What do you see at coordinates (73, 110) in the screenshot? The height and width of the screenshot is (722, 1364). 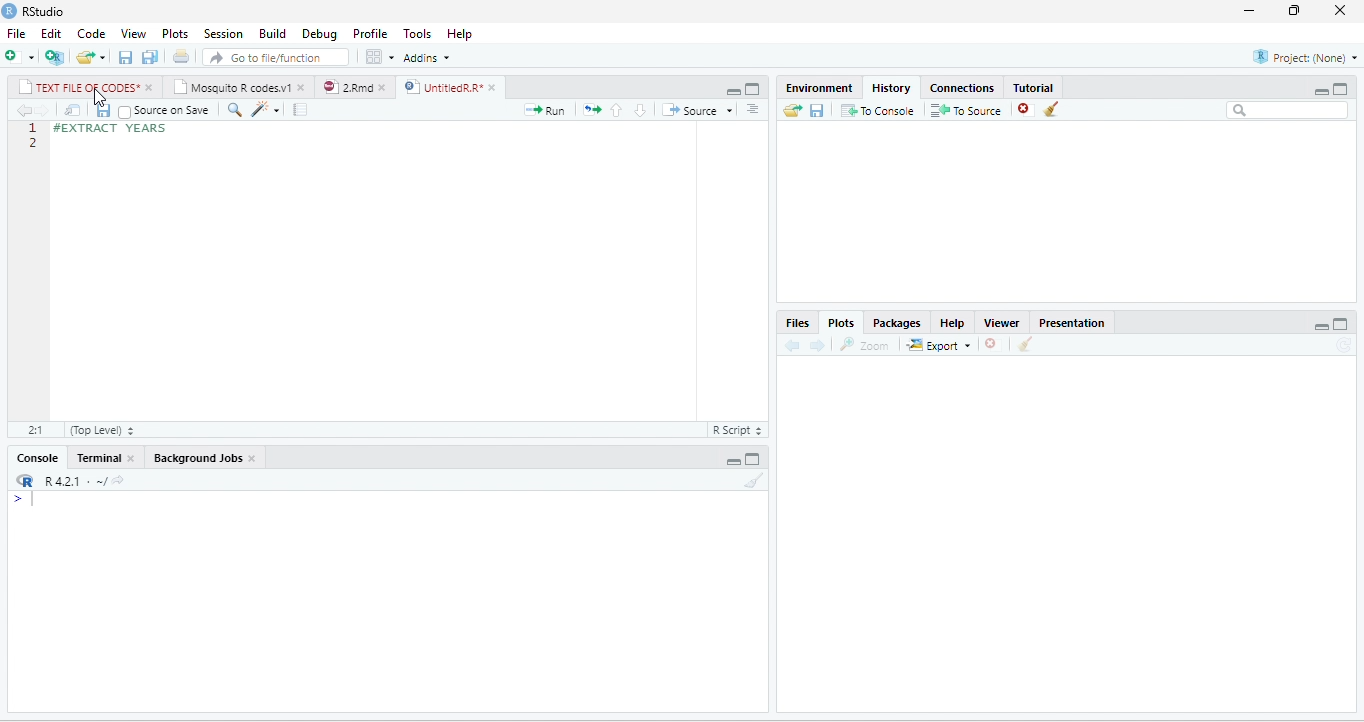 I see `open in new window` at bounding box center [73, 110].